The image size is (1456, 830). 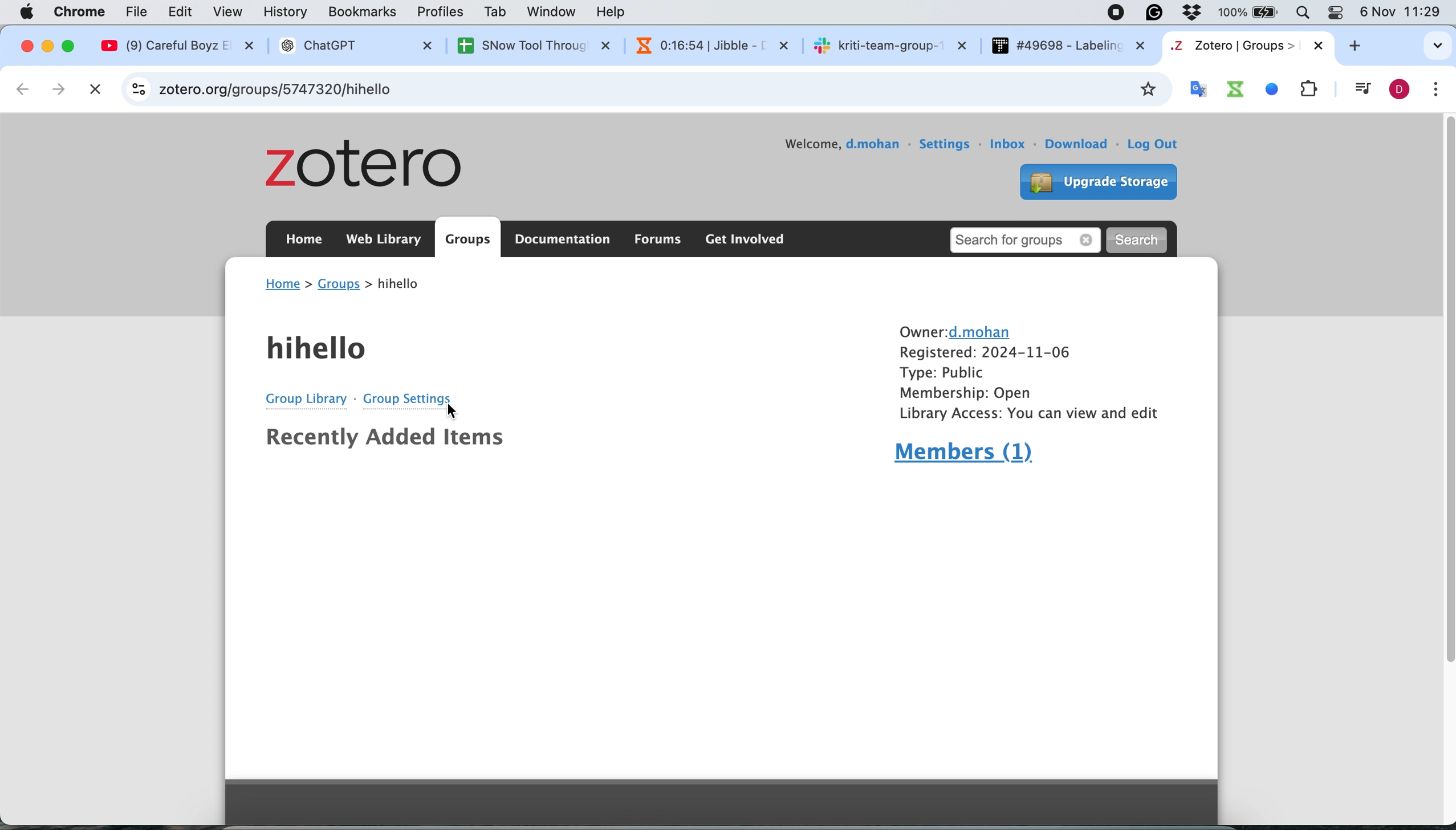 I want to click on settings, so click(x=946, y=140).